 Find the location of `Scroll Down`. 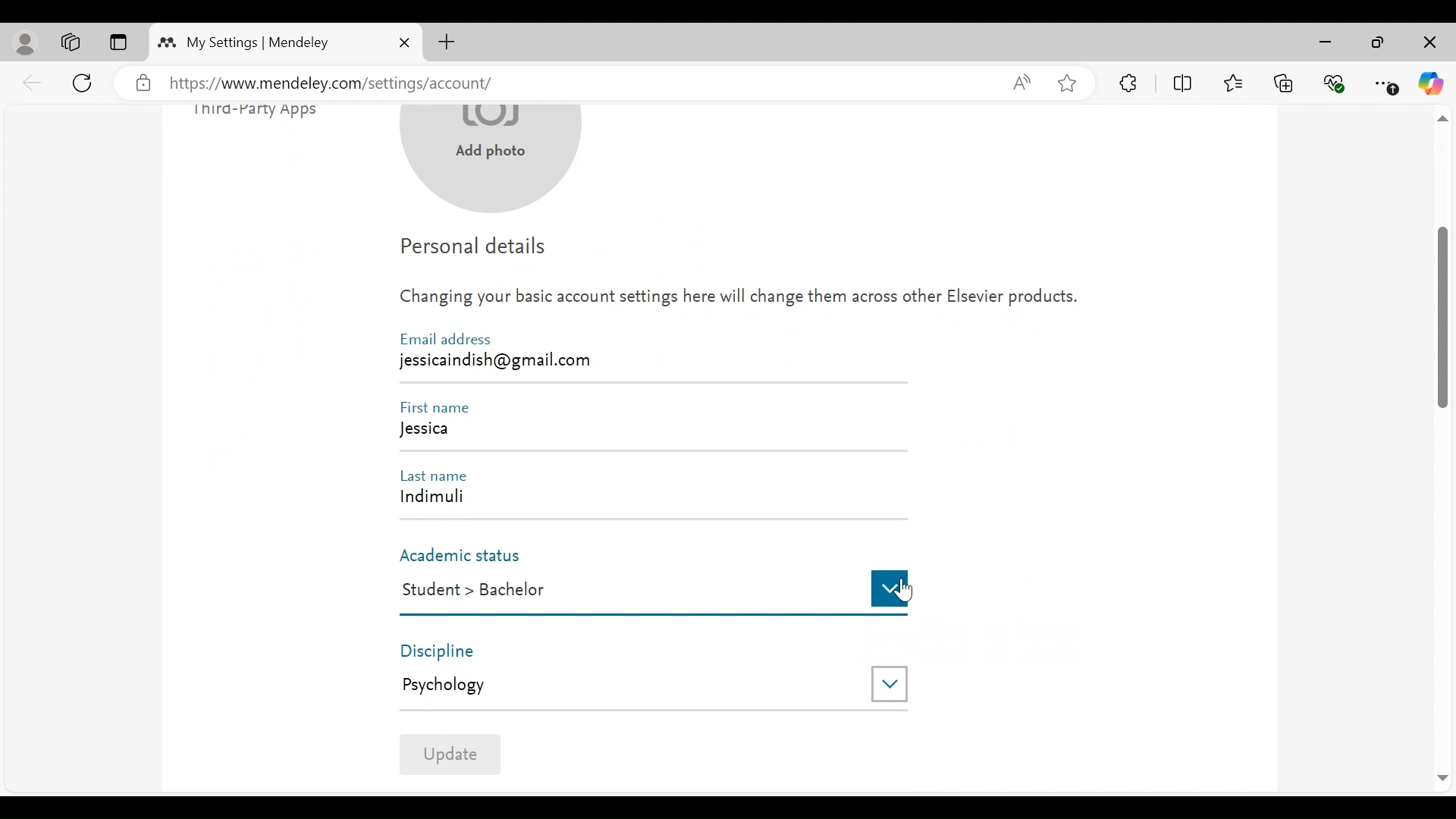

Scroll Down is located at coordinates (1442, 779).